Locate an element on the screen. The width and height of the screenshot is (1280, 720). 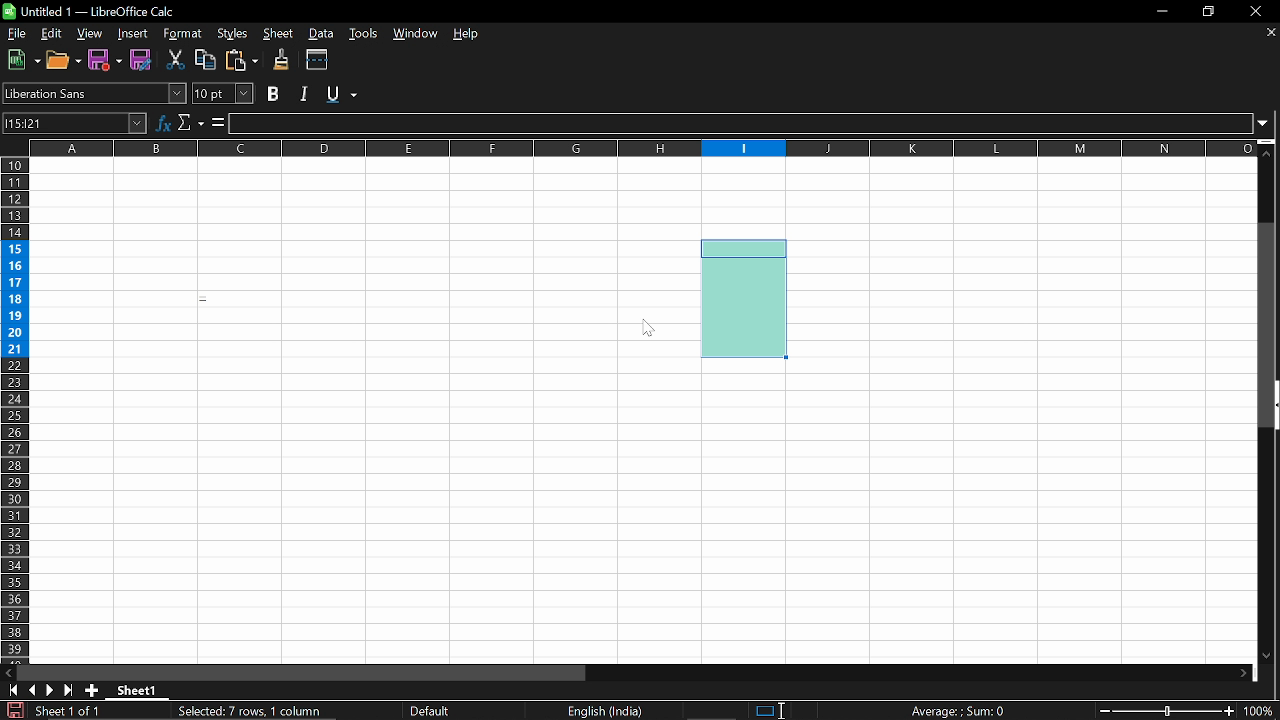
Standard selection is located at coordinates (762, 709).